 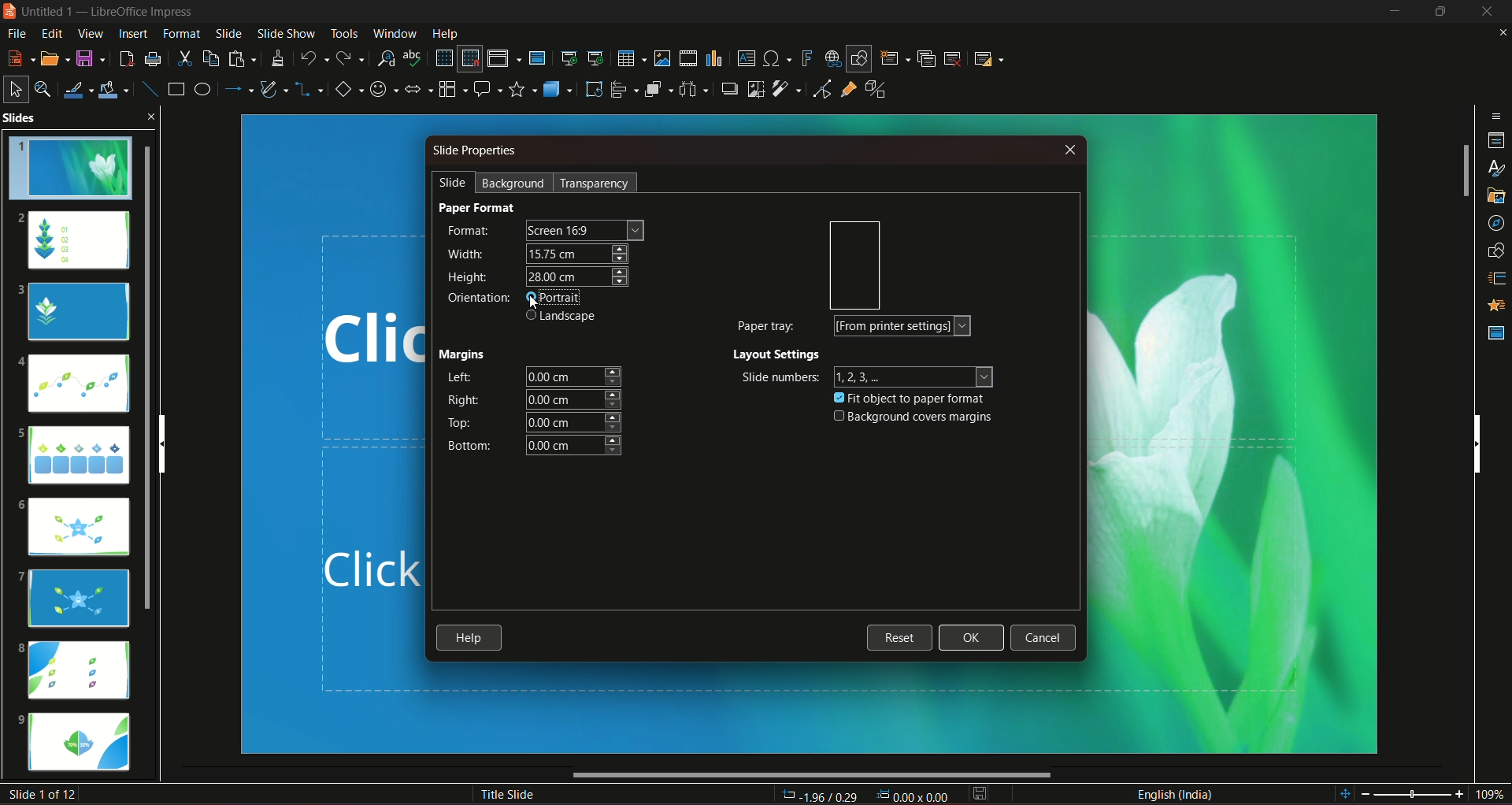 What do you see at coordinates (77, 597) in the screenshot?
I see `slide 7` at bounding box center [77, 597].